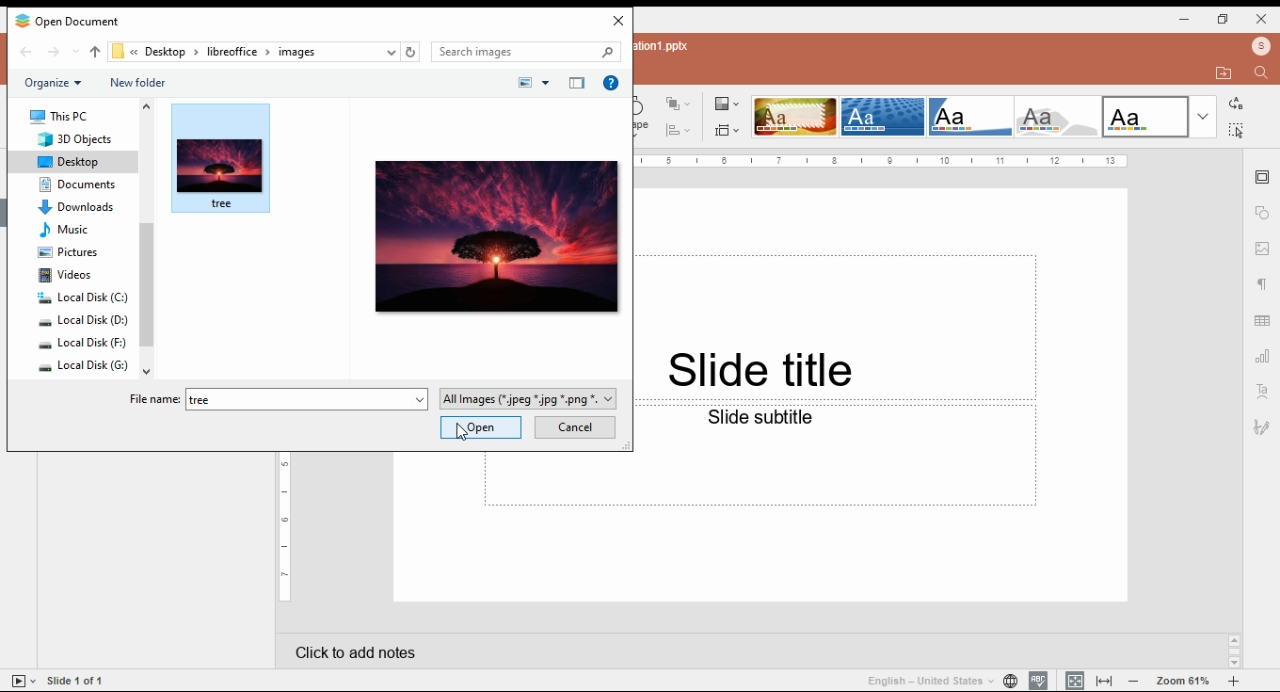 Image resolution: width=1280 pixels, height=692 pixels. What do you see at coordinates (75, 139) in the screenshot?
I see `3D objects` at bounding box center [75, 139].